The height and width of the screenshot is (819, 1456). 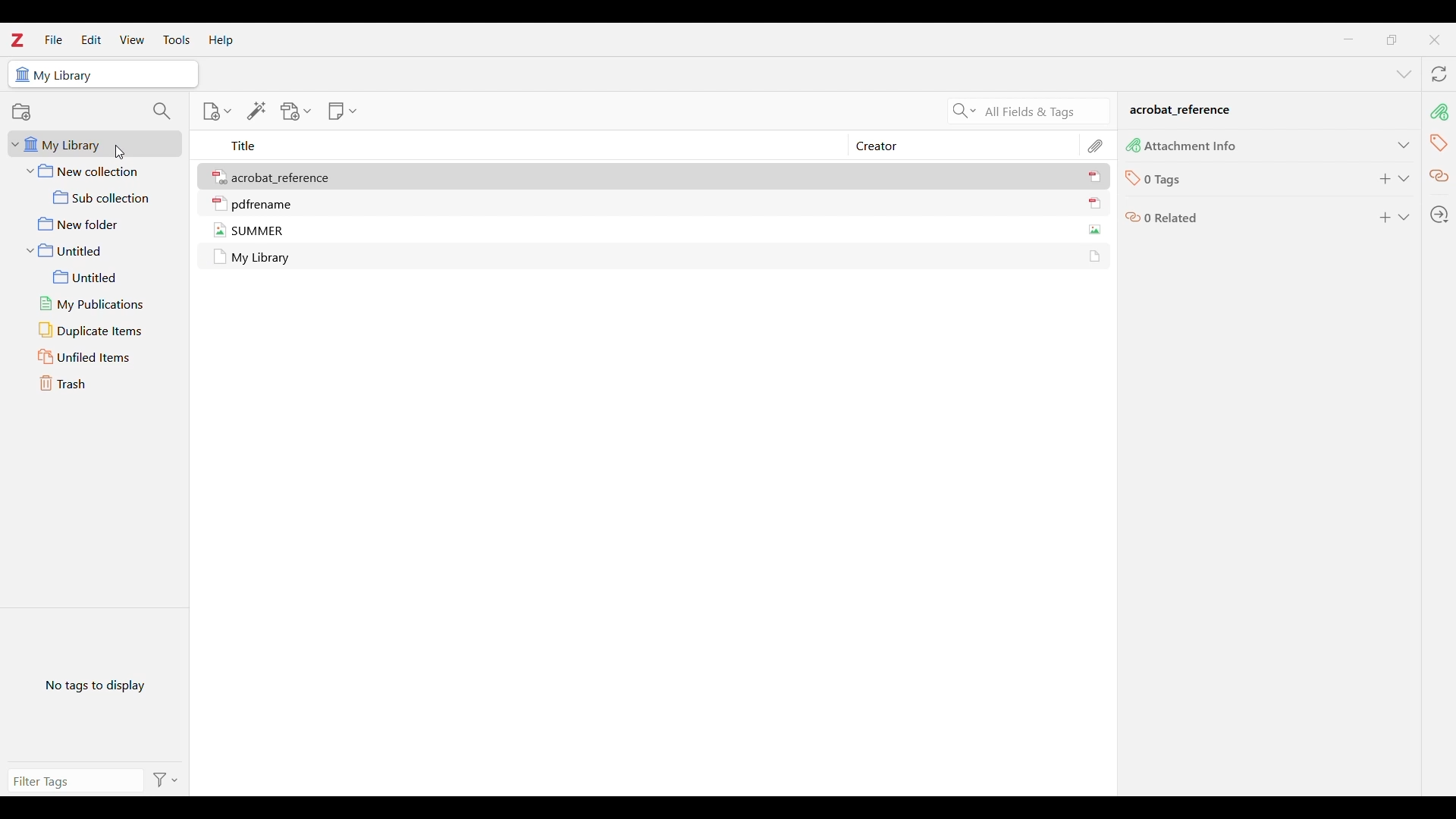 What do you see at coordinates (17, 41) in the screenshot?
I see `Software logo` at bounding box center [17, 41].